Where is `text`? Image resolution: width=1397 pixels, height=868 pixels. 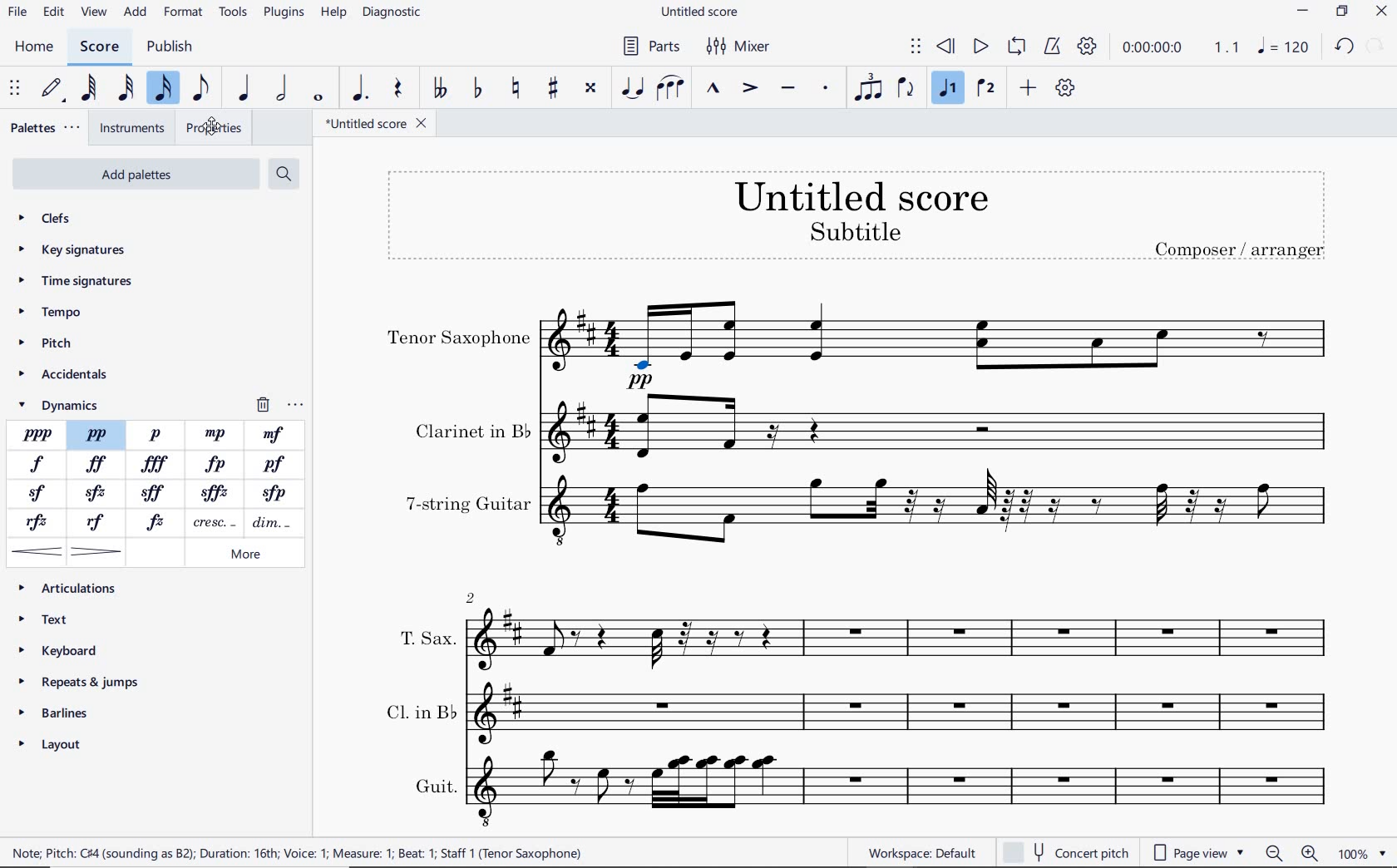 text is located at coordinates (1239, 248).